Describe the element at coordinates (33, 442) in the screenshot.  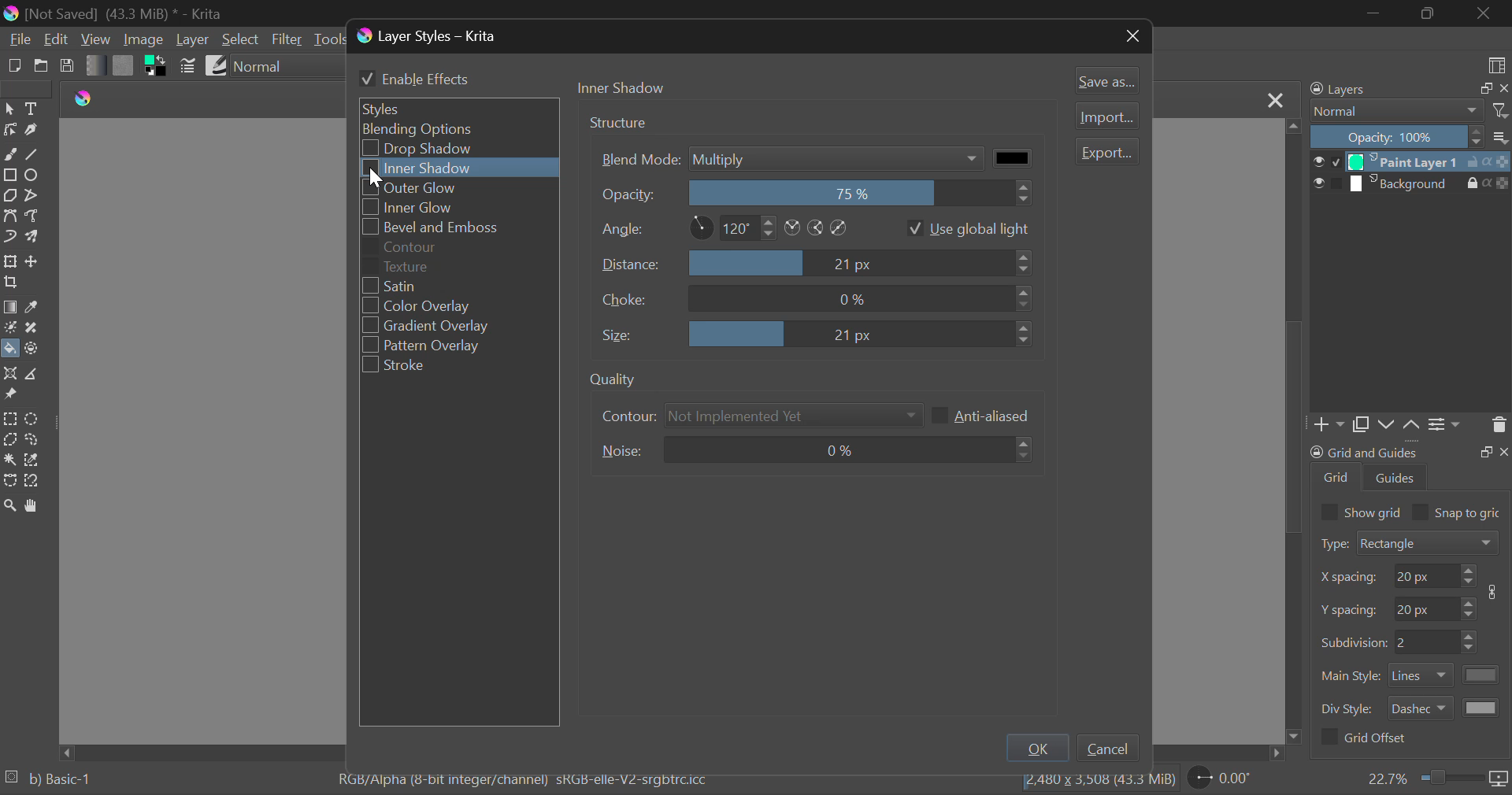
I see `Freehand Selection` at that location.